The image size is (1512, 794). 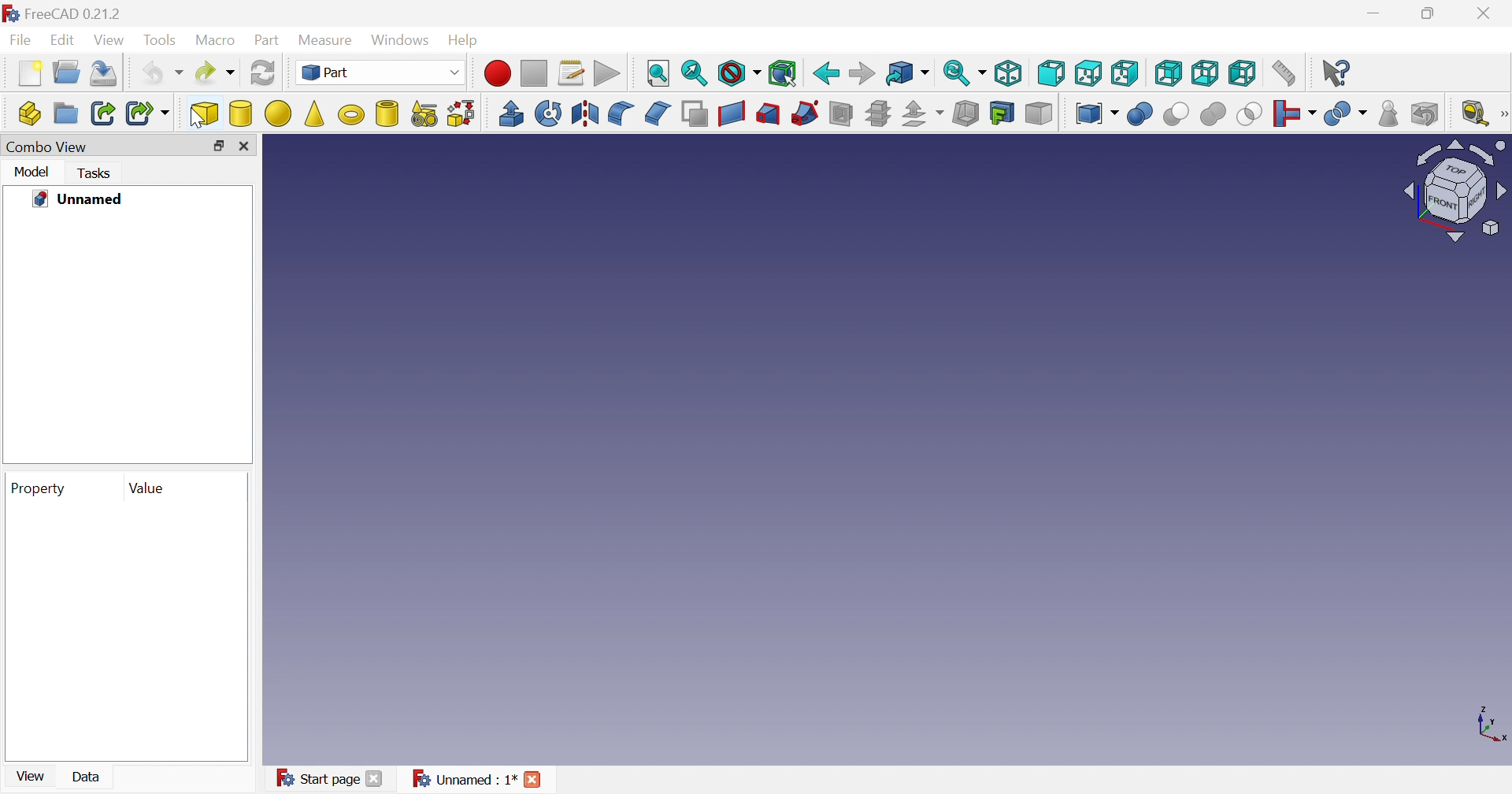 What do you see at coordinates (66, 70) in the screenshot?
I see `Open` at bounding box center [66, 70].